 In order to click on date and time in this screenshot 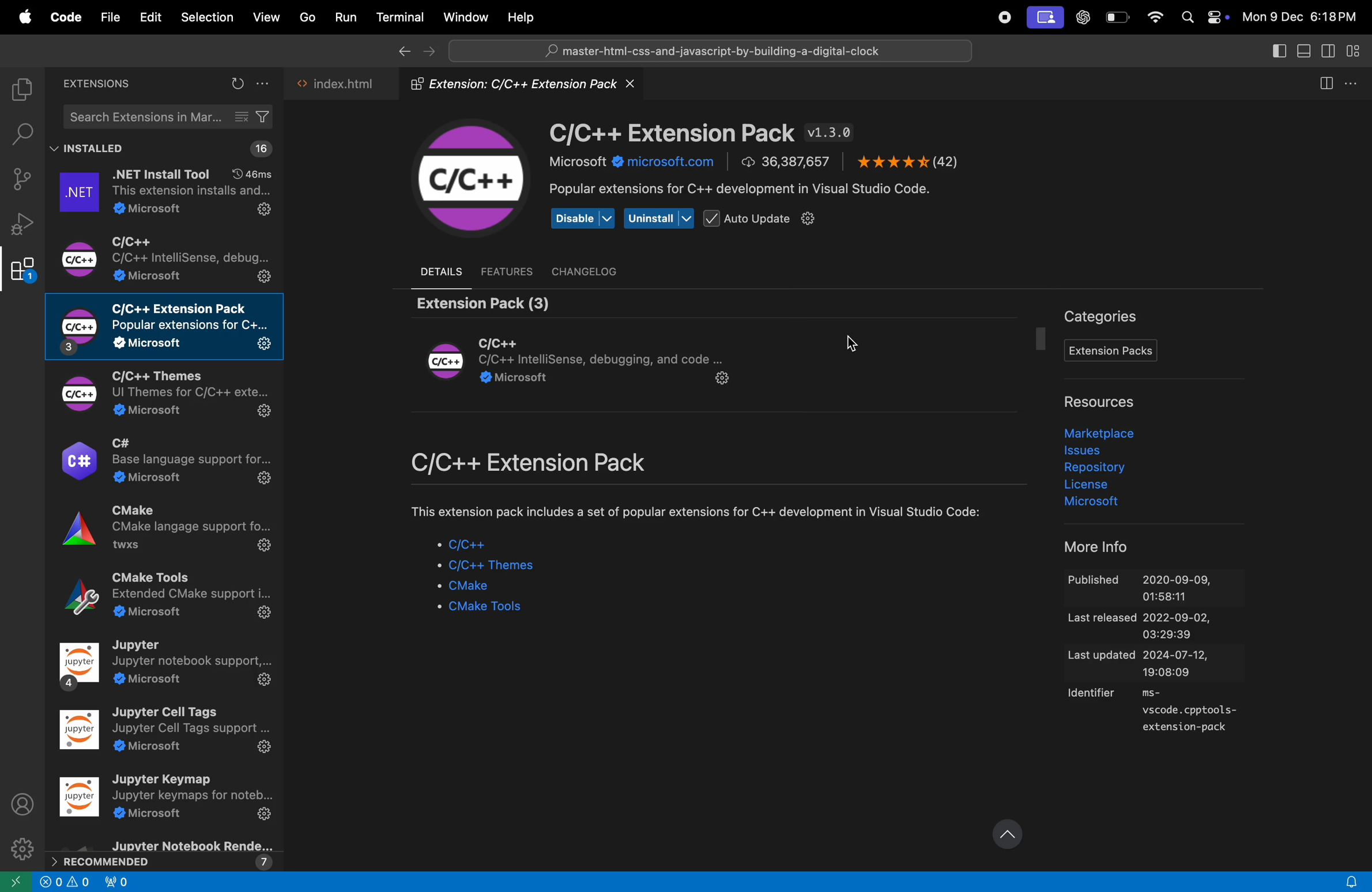, I will do `click(1301, 17)`.